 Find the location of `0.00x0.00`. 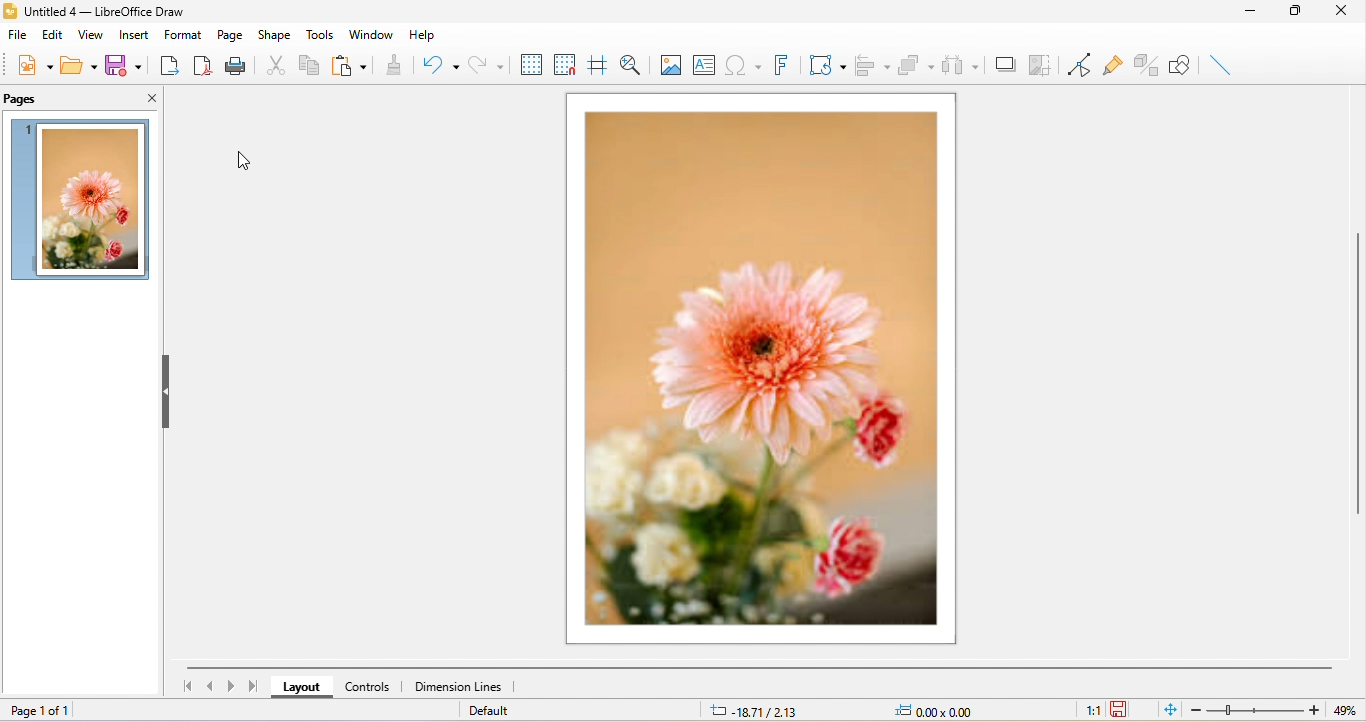

0.00x0.00 is located at coordinates (947, 709).